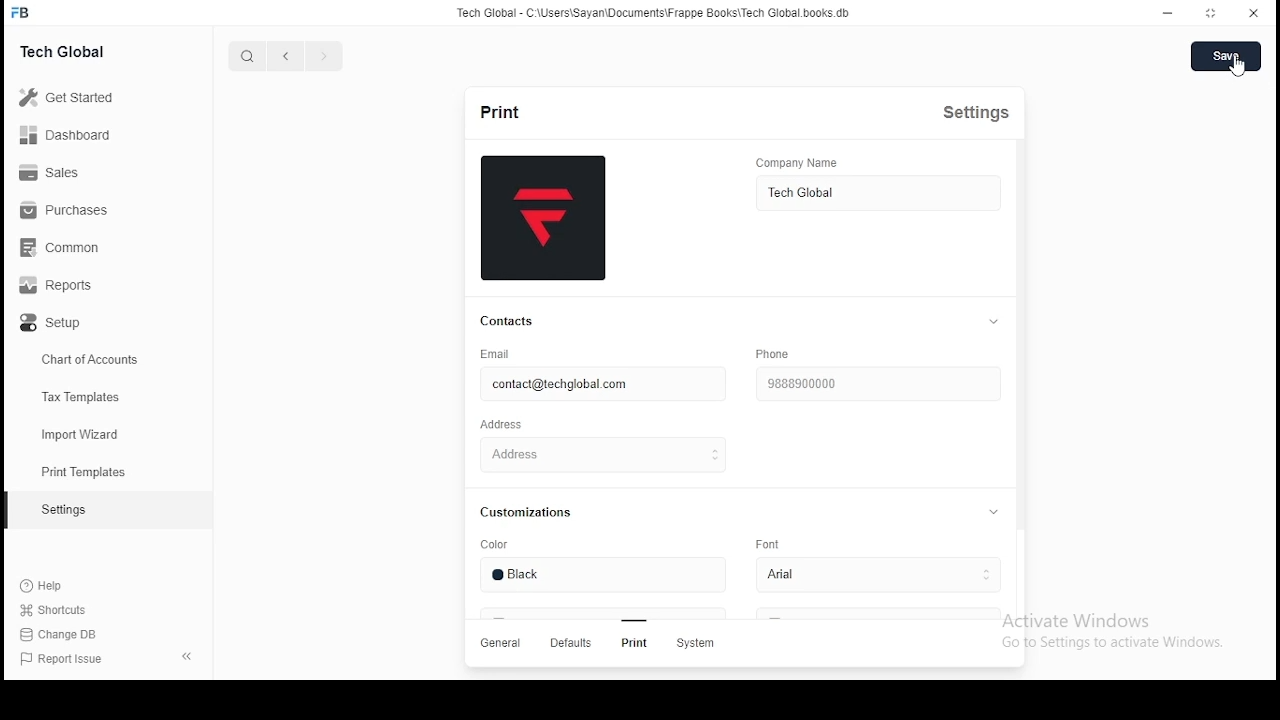 Image resolution: width=1280 pixels, height=720 pixels. Describe the element at coordinates (828, 163) in the screenshot. I see `Company Name` at that location.